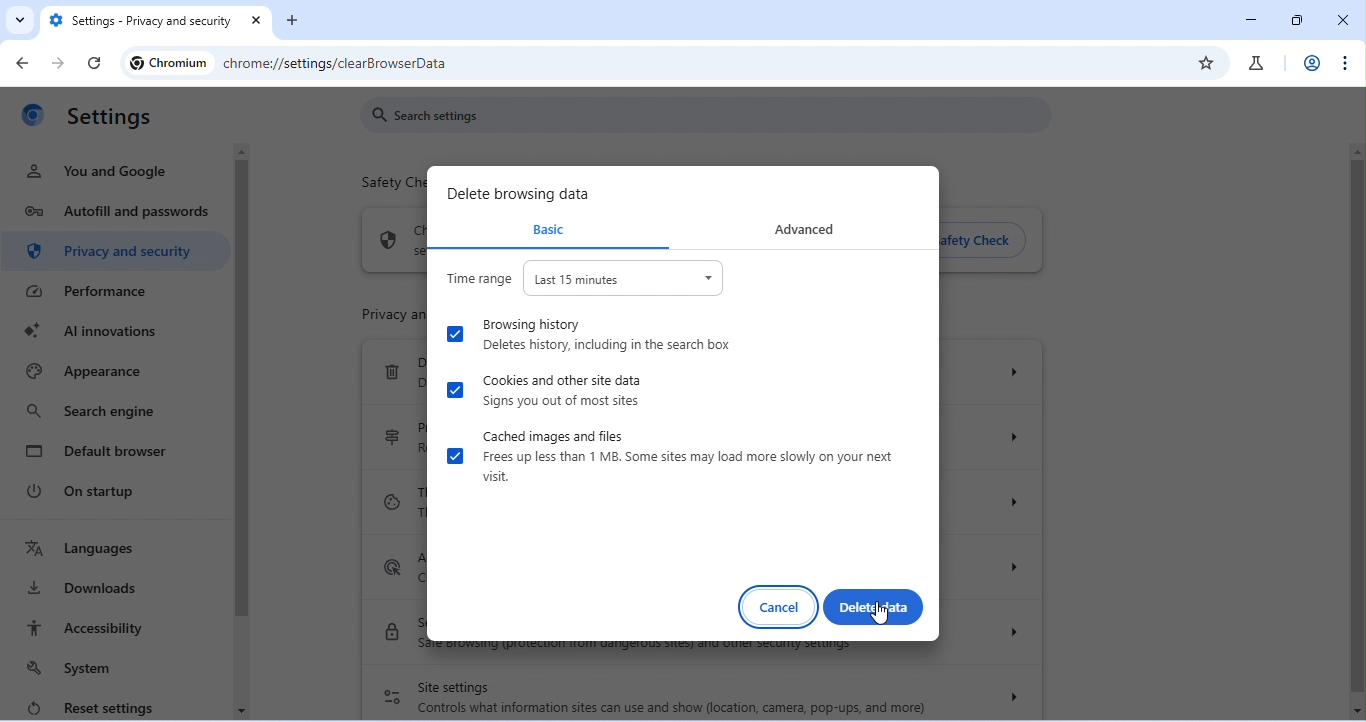 The width and height of the screenshot is (1366, 722). What do you see at coordinates (86, 373) in the screenshot?
I see `appearance` at bounding box center [86, 373].